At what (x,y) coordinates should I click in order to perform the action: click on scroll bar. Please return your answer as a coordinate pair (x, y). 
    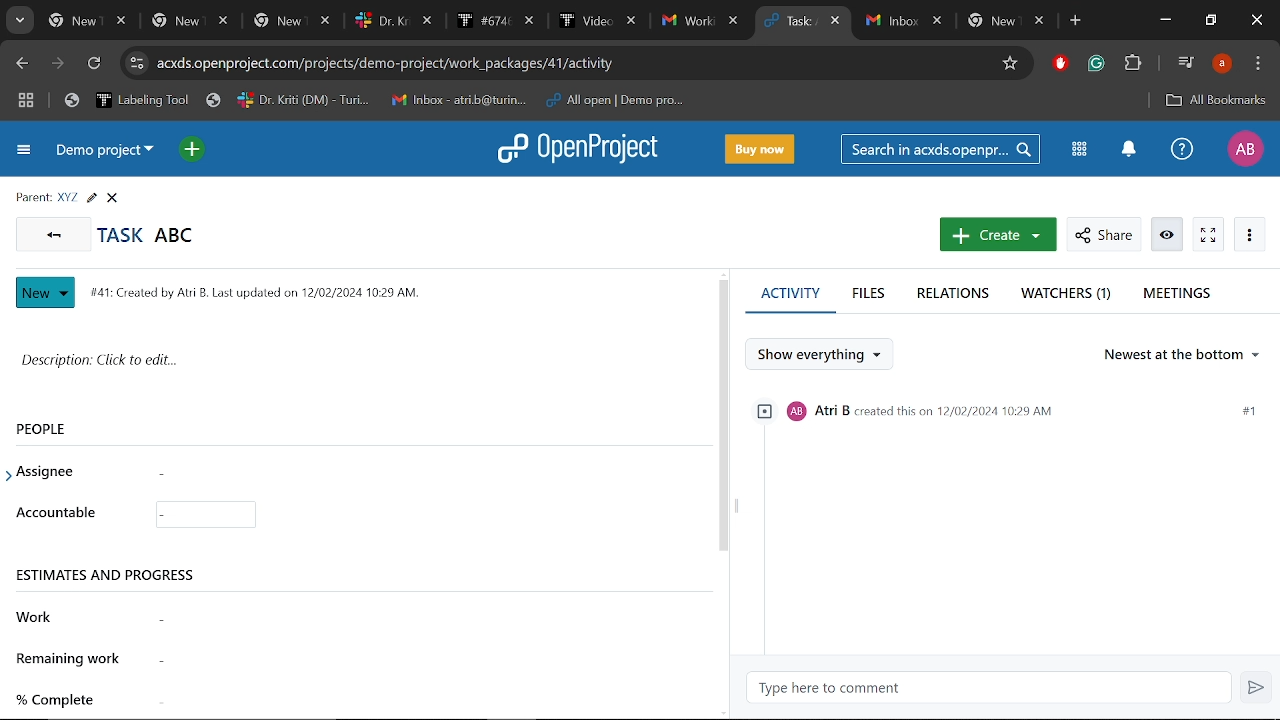
    Looking at the image, I should click on (721, 415).